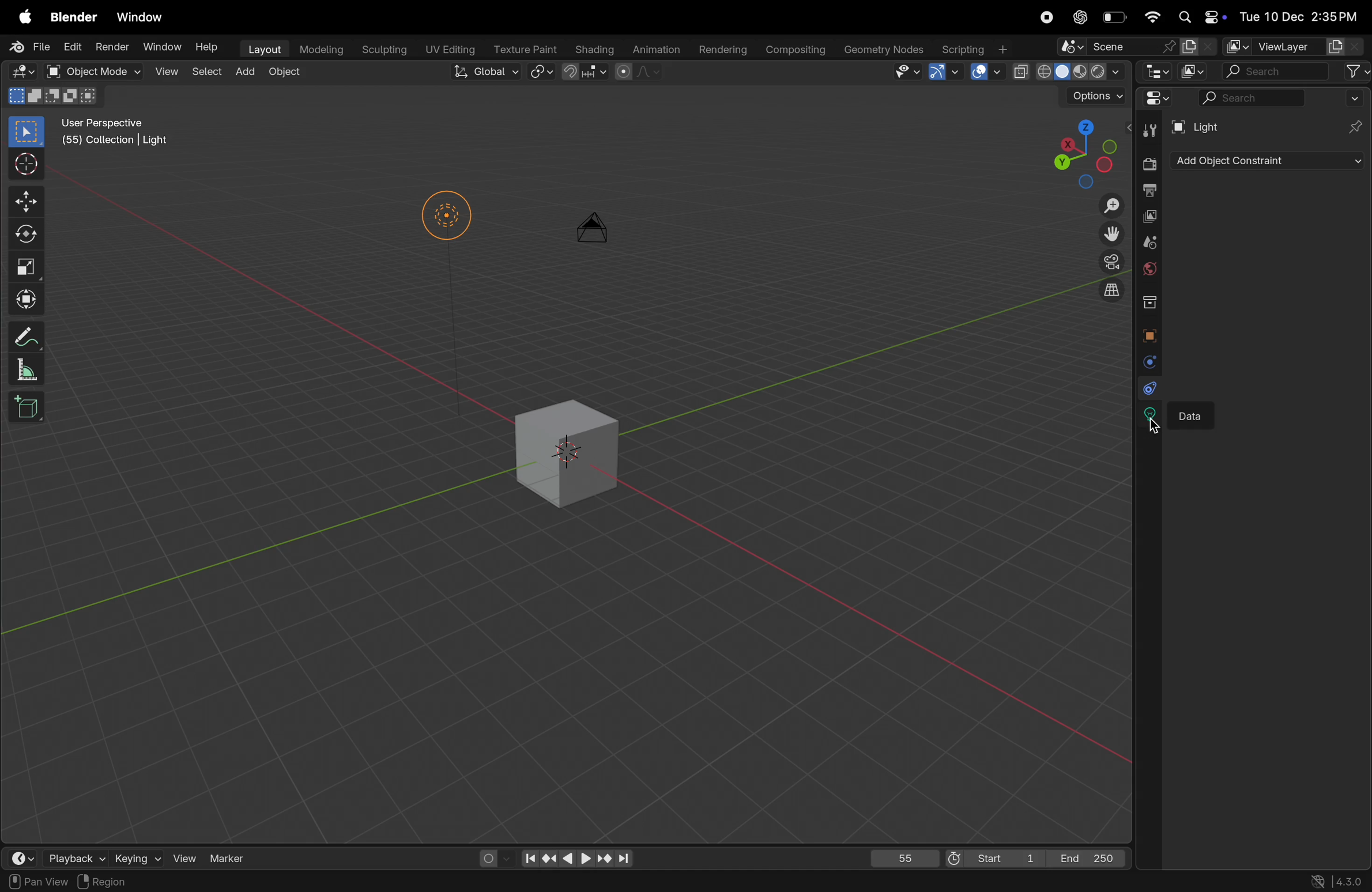 Image resolution: width=1372 pixels, height=892 pixels. What do you see at coordinates (525, 48) in the screenshot?
I see `Texture paint` at bounding box center [525, 48].